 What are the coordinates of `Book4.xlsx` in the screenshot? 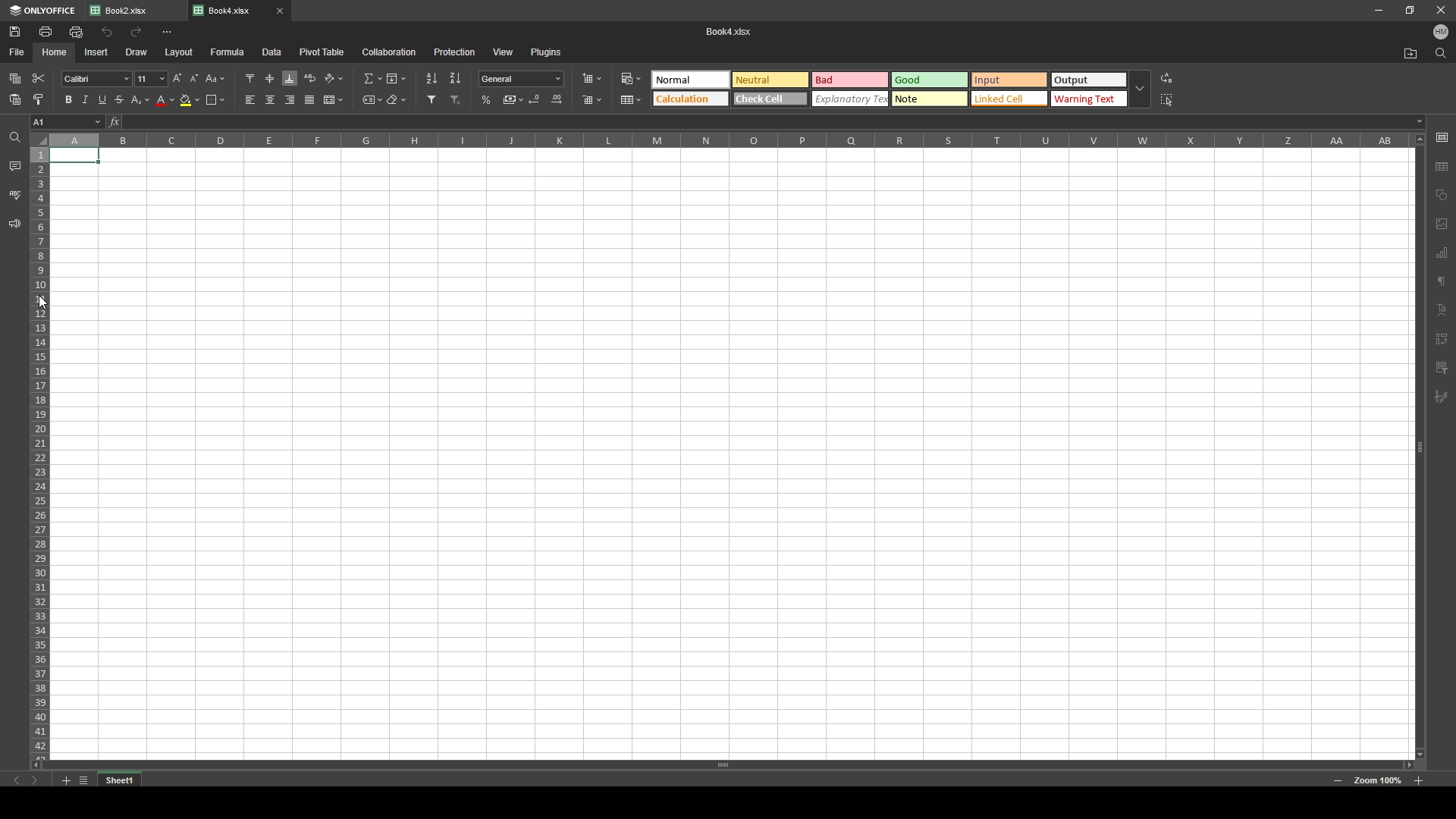 It's located at (229, 11).